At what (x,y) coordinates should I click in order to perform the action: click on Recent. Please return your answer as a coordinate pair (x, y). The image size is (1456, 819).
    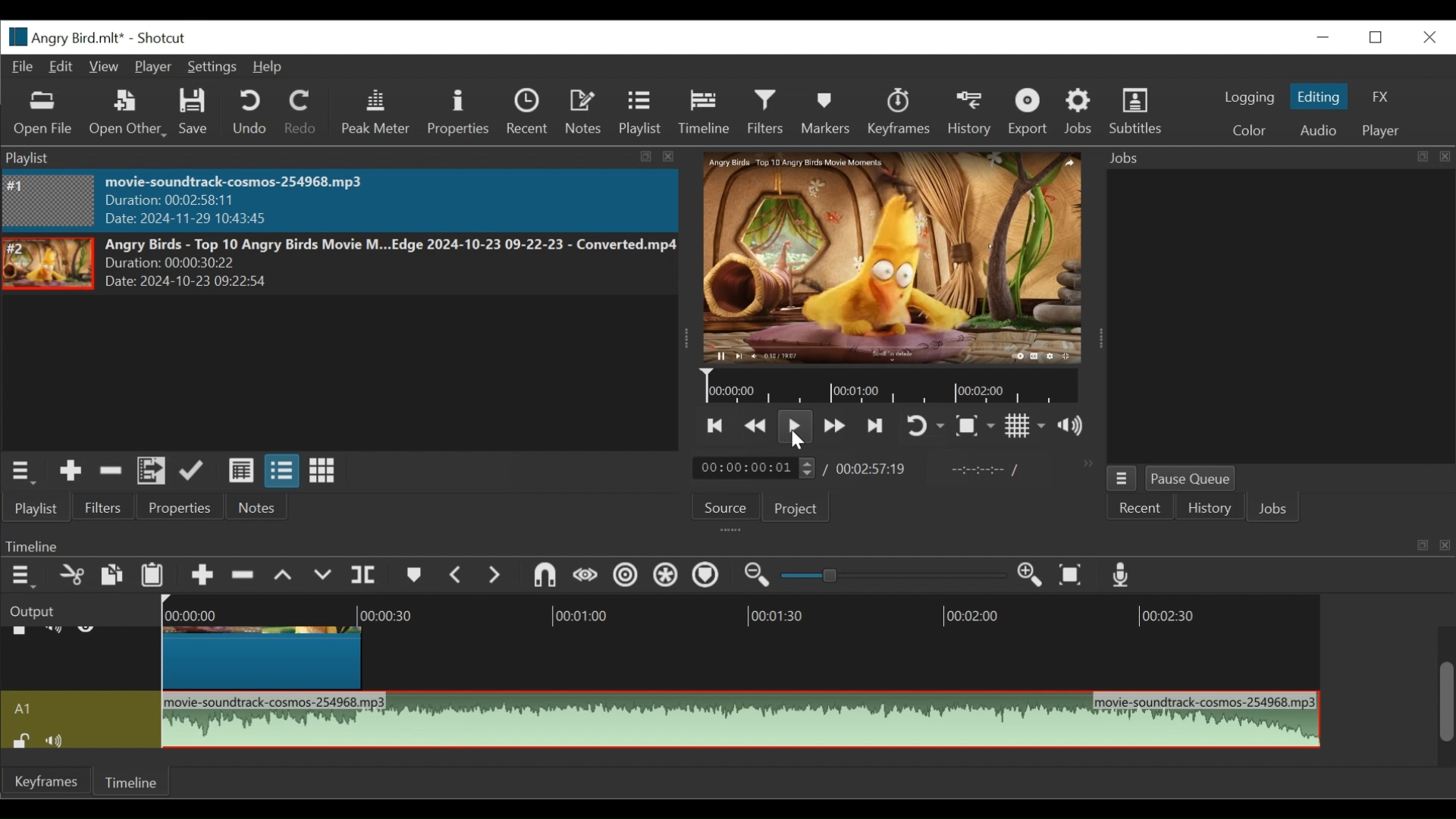
    Looking at the image, I should click on (527, 112).